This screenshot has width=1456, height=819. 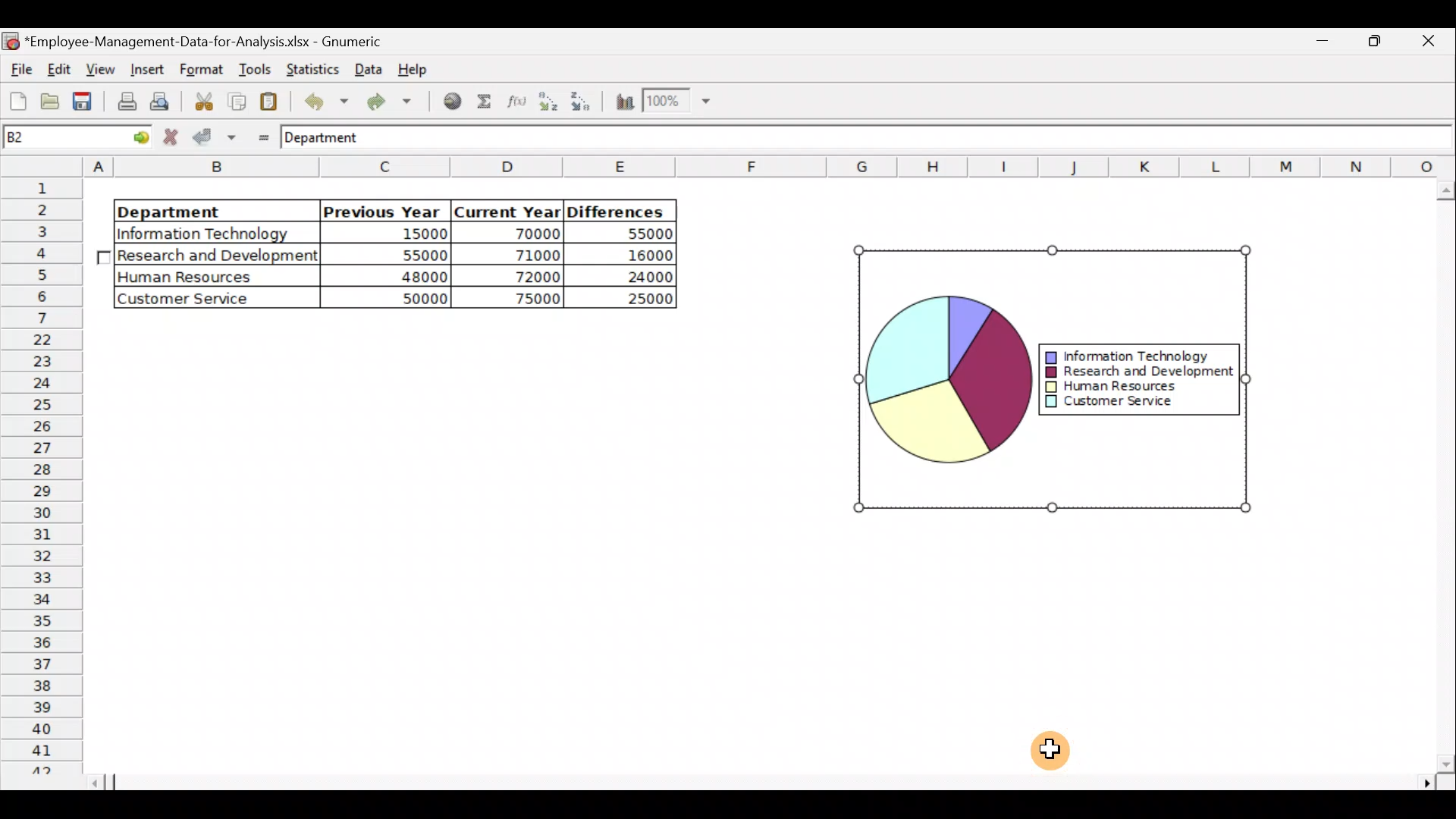 I want to click on Paste the clipboard, so click(x=272, y=102).